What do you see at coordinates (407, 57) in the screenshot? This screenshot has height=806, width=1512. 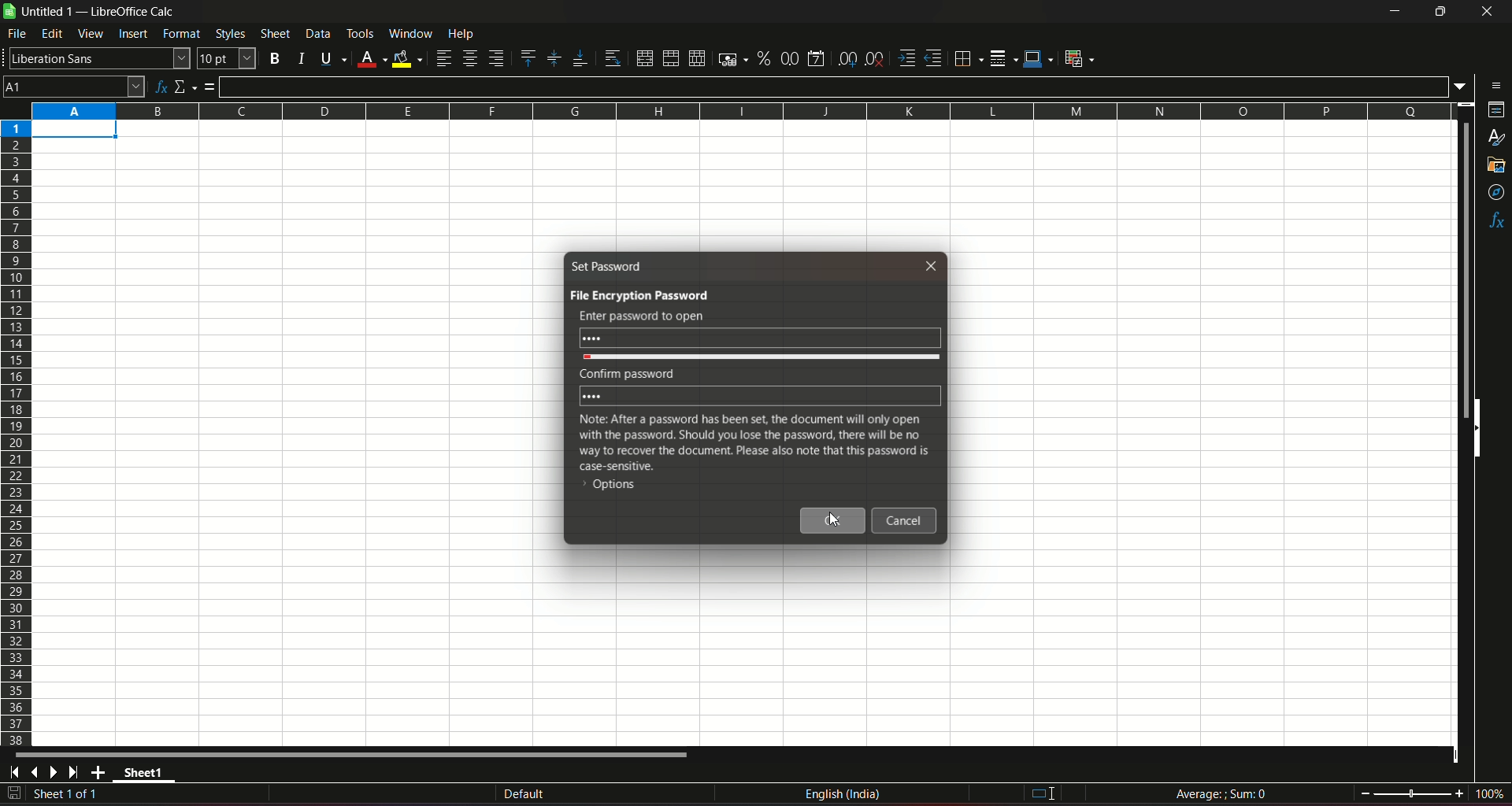 I see `background color` at bounding box center [407, 57].